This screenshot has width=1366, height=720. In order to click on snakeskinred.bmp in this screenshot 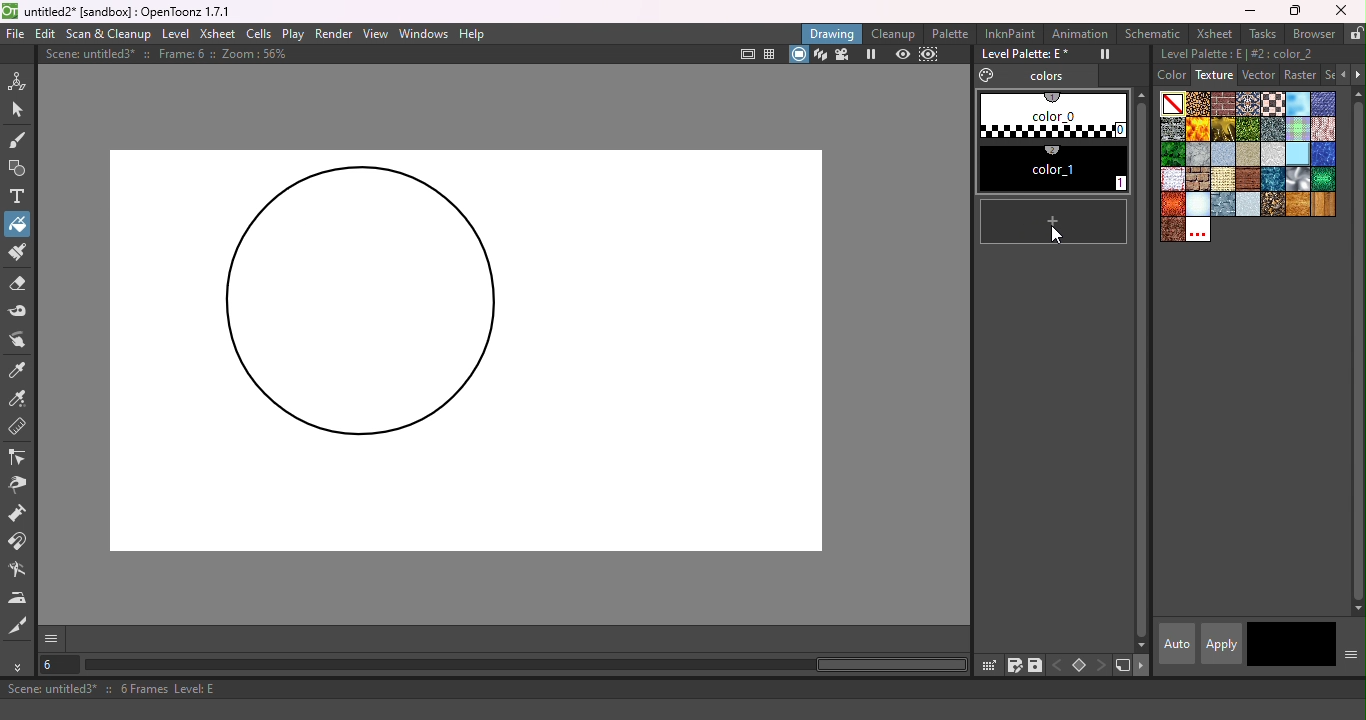, I will do `click(1172, 205)`.